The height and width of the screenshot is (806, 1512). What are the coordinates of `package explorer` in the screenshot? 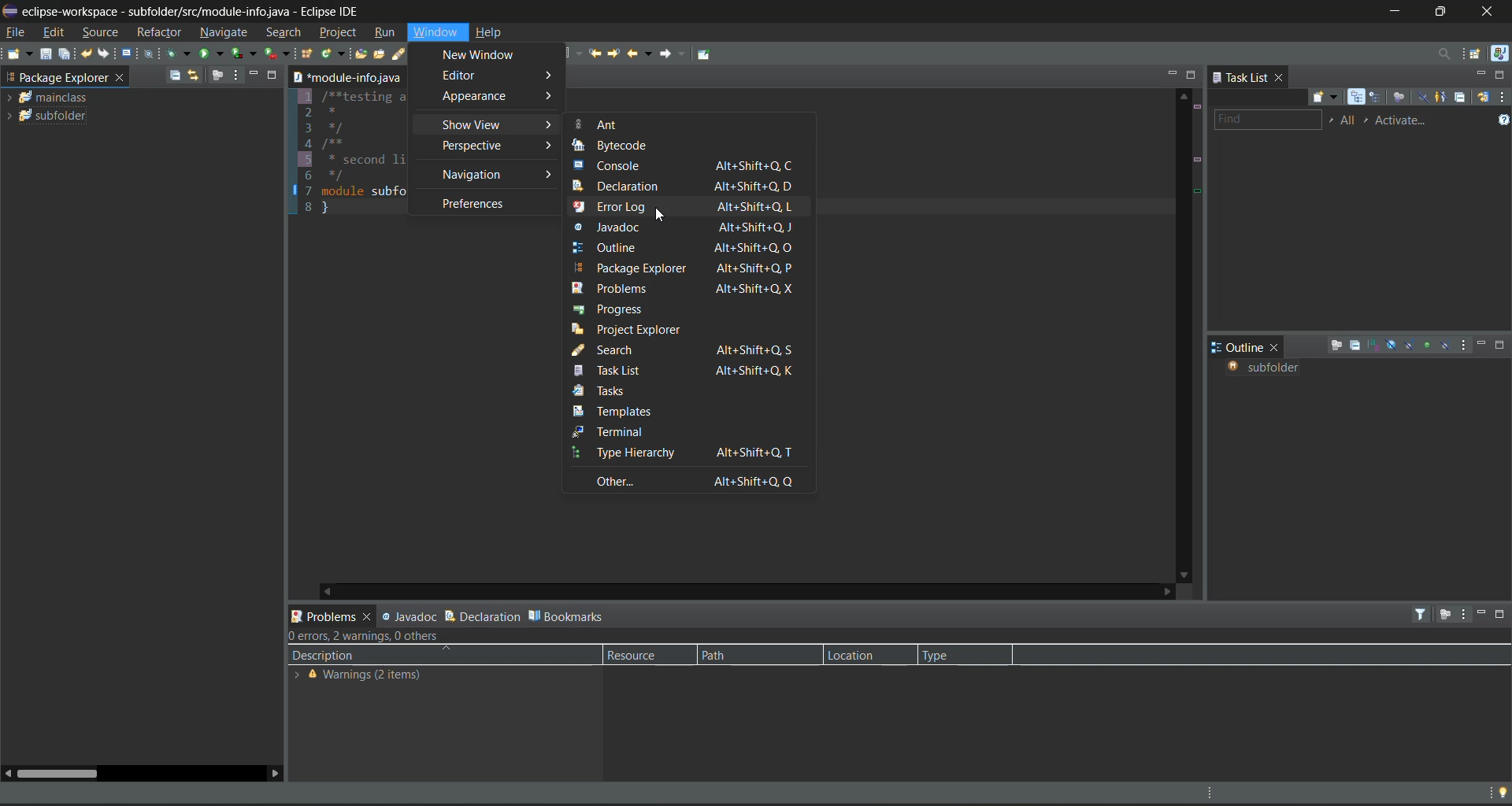 It's located at (56, 76).